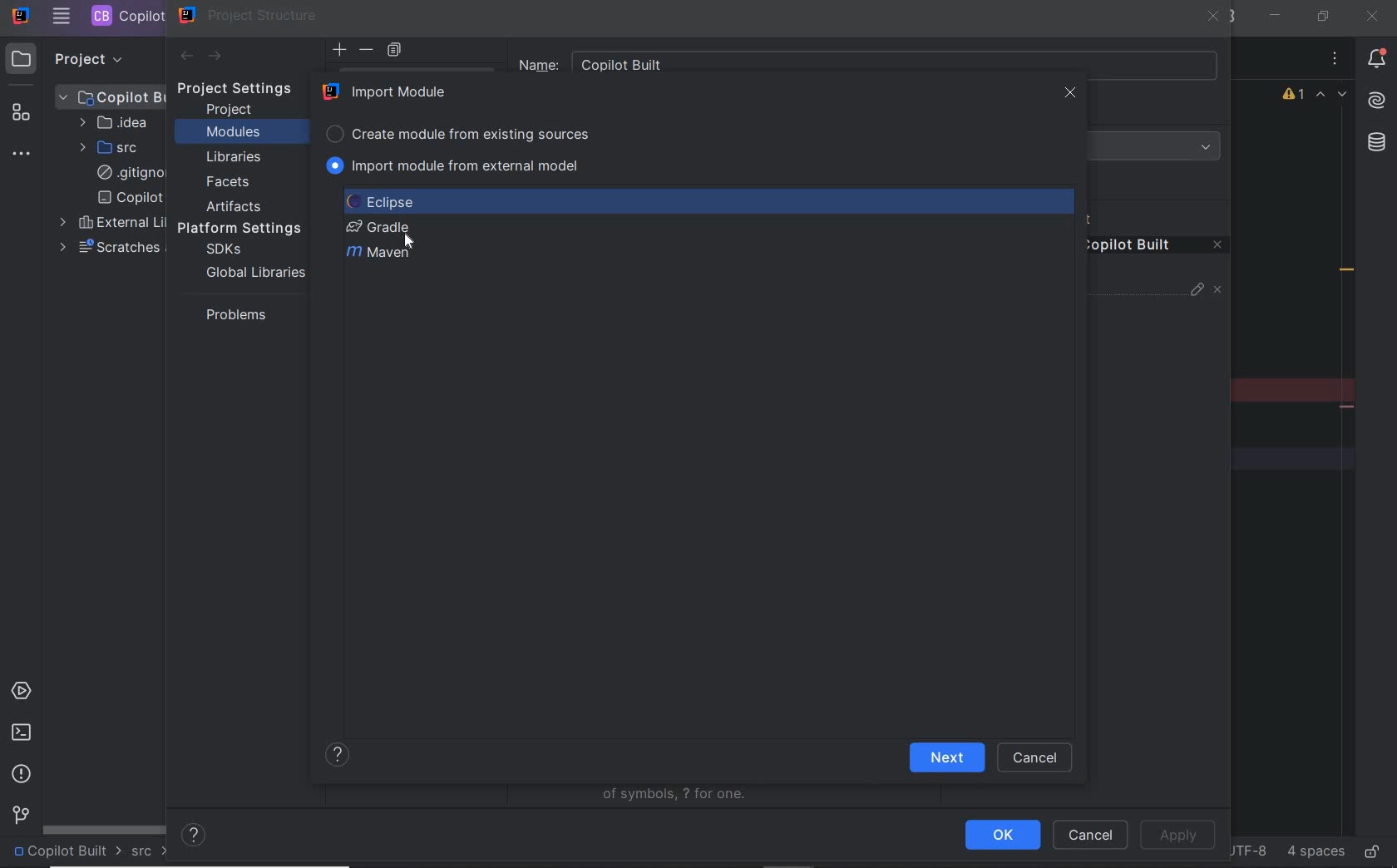 This screenshot has width=1397, height=868. Describe the element at coordinates (111, 147) in the screenshot. I see `SRC` at that location.